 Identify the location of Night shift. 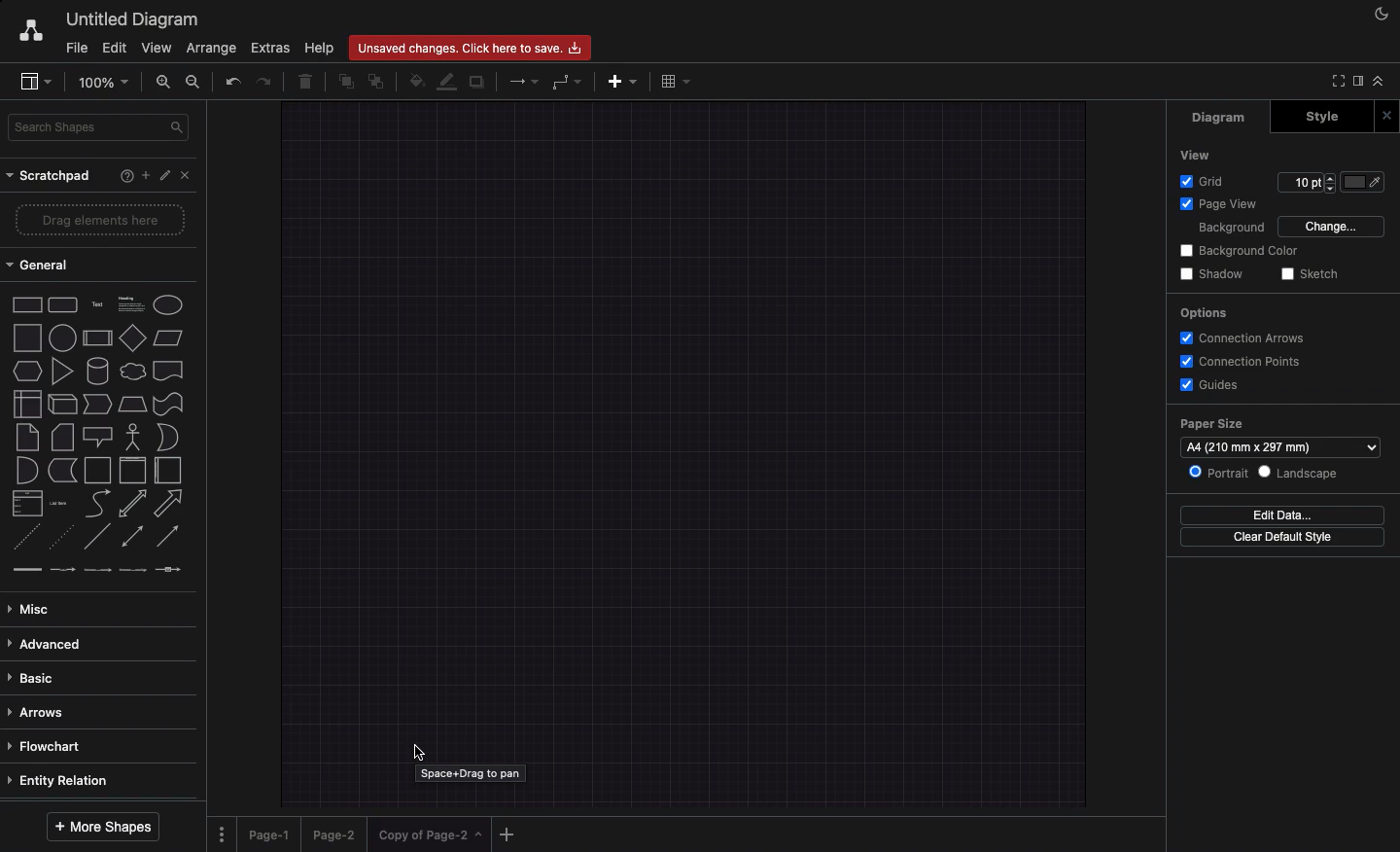
(1384, 15).